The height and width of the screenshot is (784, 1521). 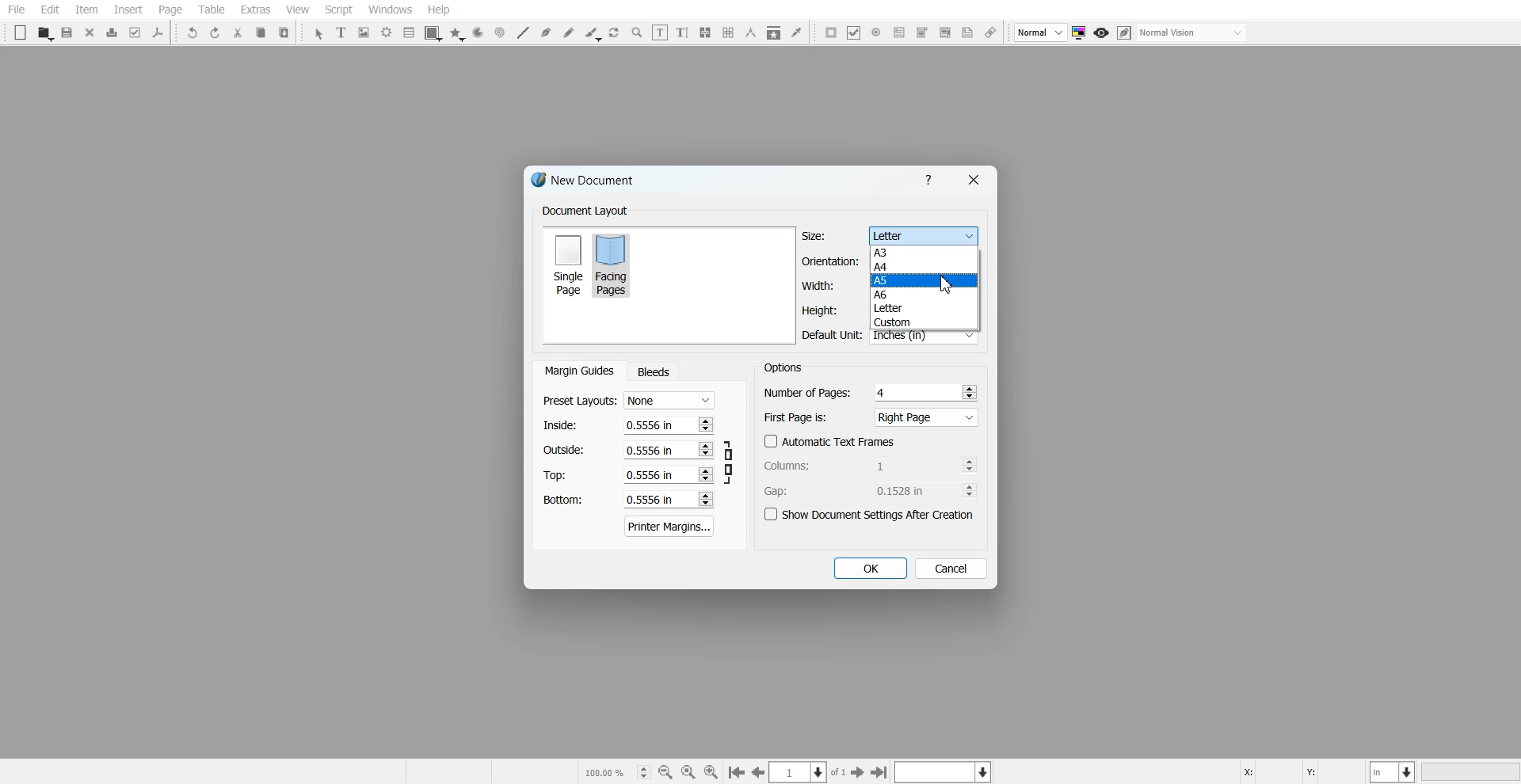 I want to click on Cursor, so click(x=948, y=285).